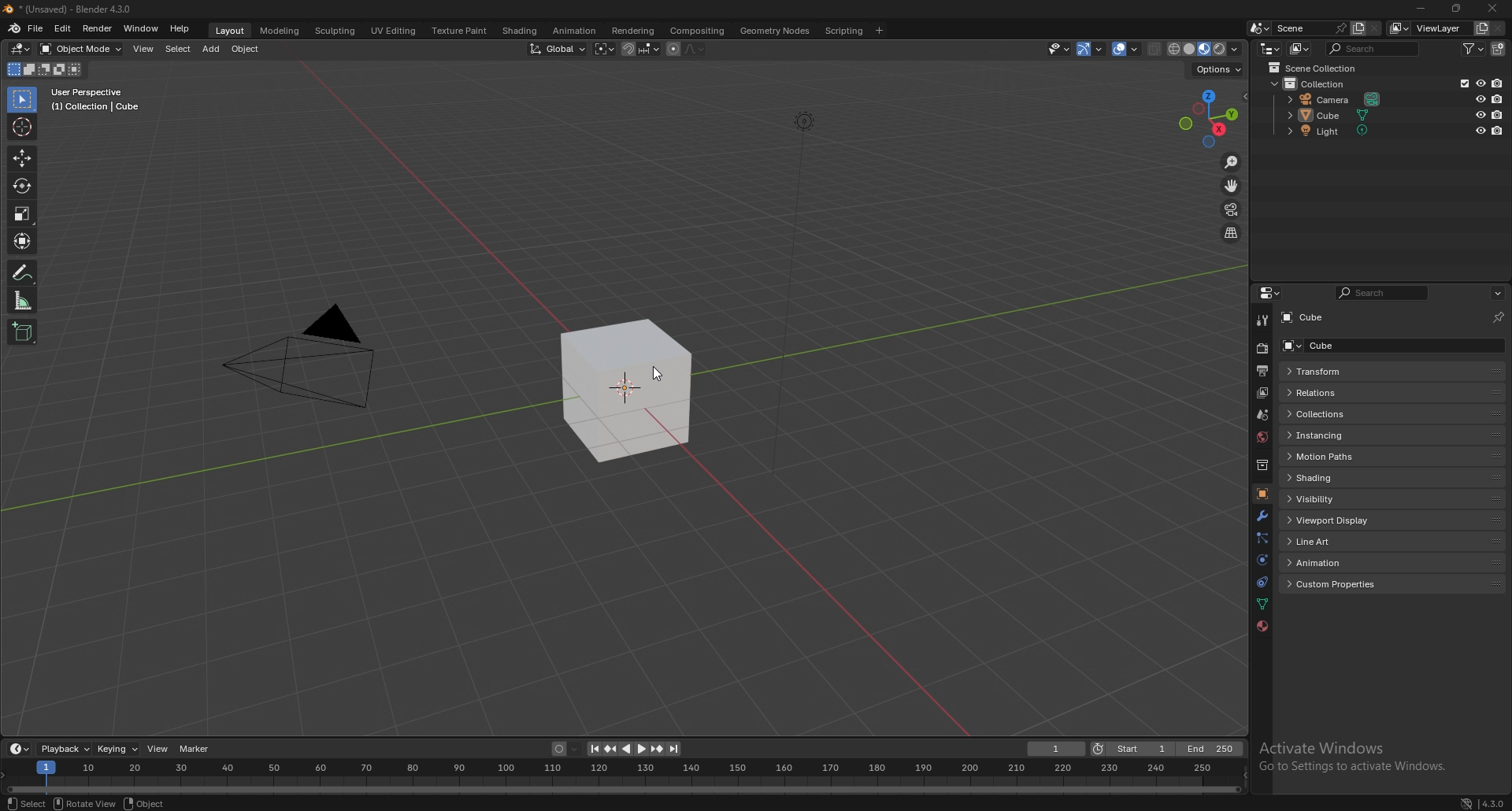  Describe the element at coordinates (86, 803) in the screenshot. I see `rotate view` at that location.